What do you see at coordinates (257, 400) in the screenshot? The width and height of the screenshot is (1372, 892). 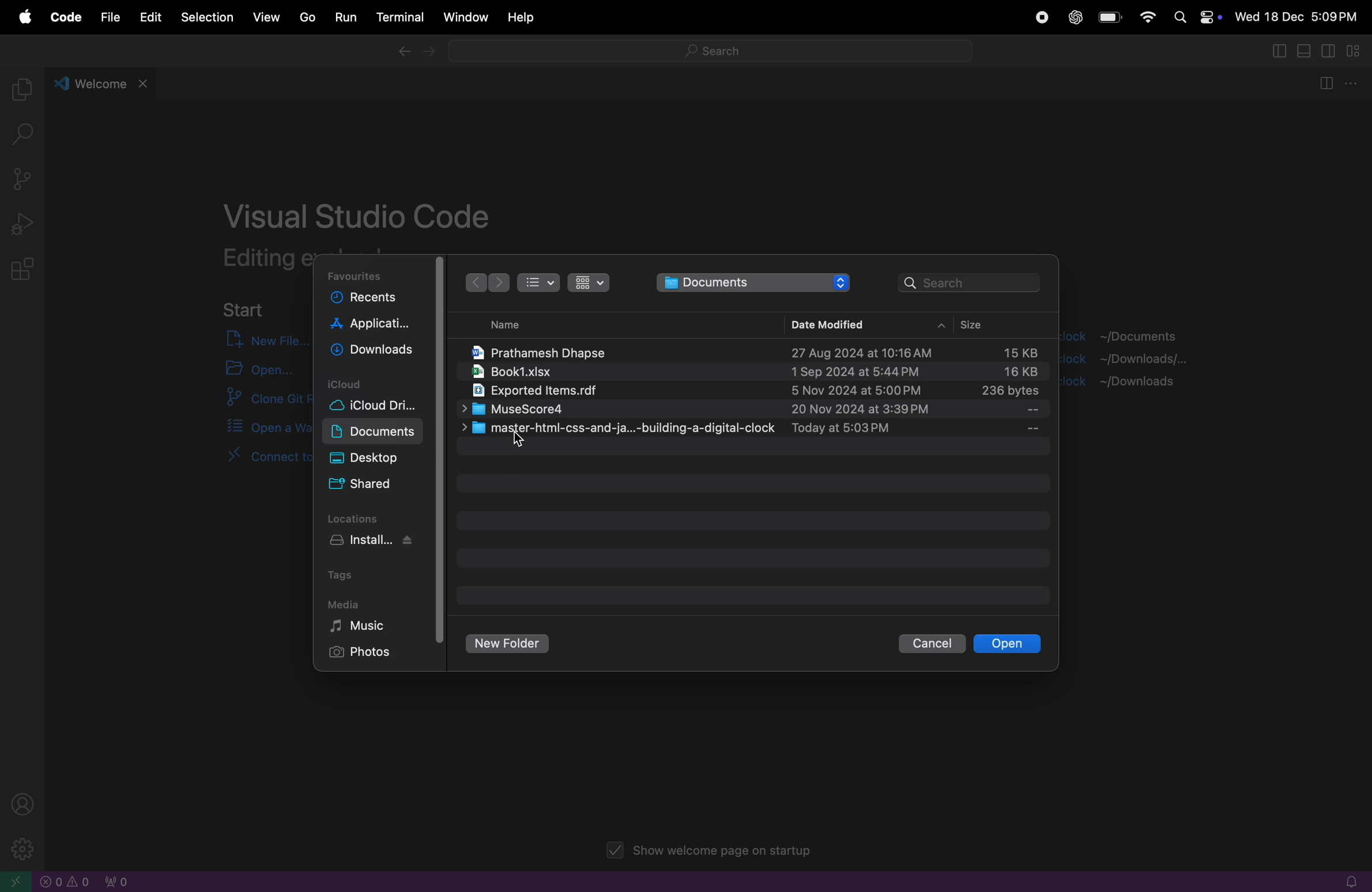 I see `clone` at bounding box center [257, 400].